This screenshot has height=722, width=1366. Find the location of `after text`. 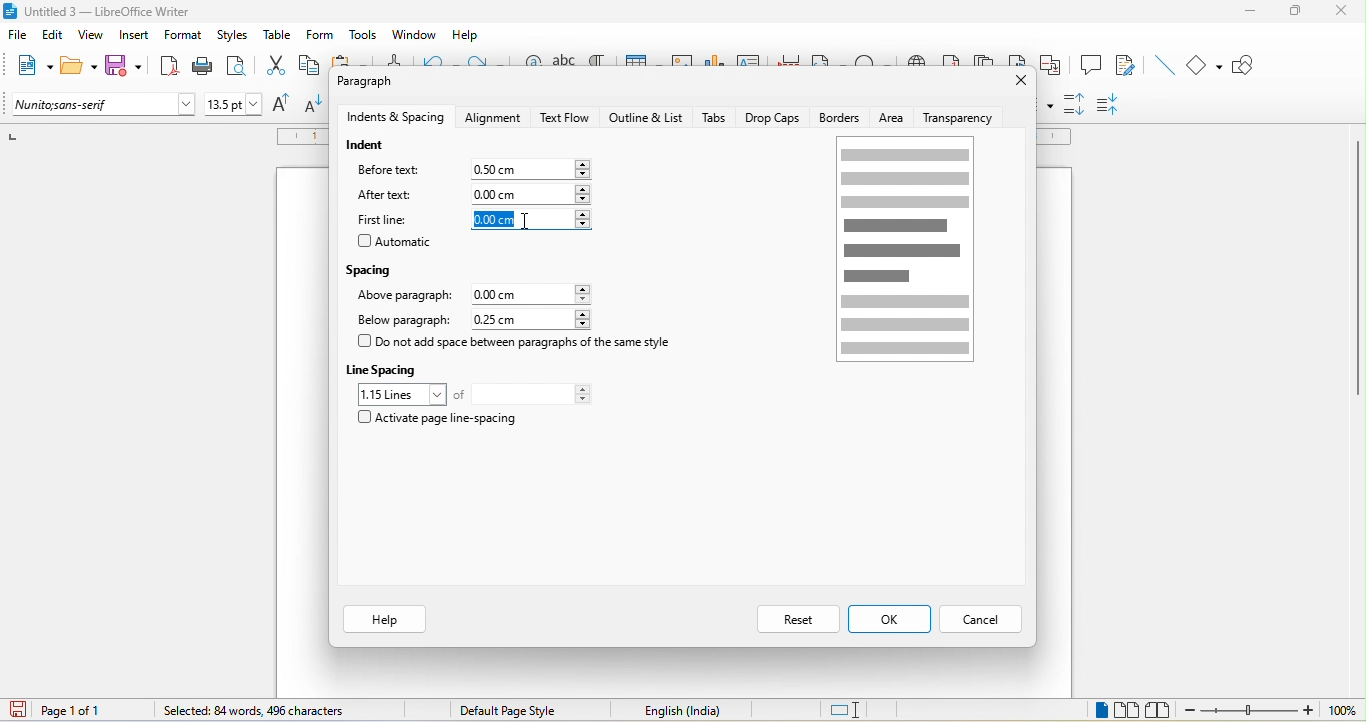

after text is located at coordinates (384, 194).